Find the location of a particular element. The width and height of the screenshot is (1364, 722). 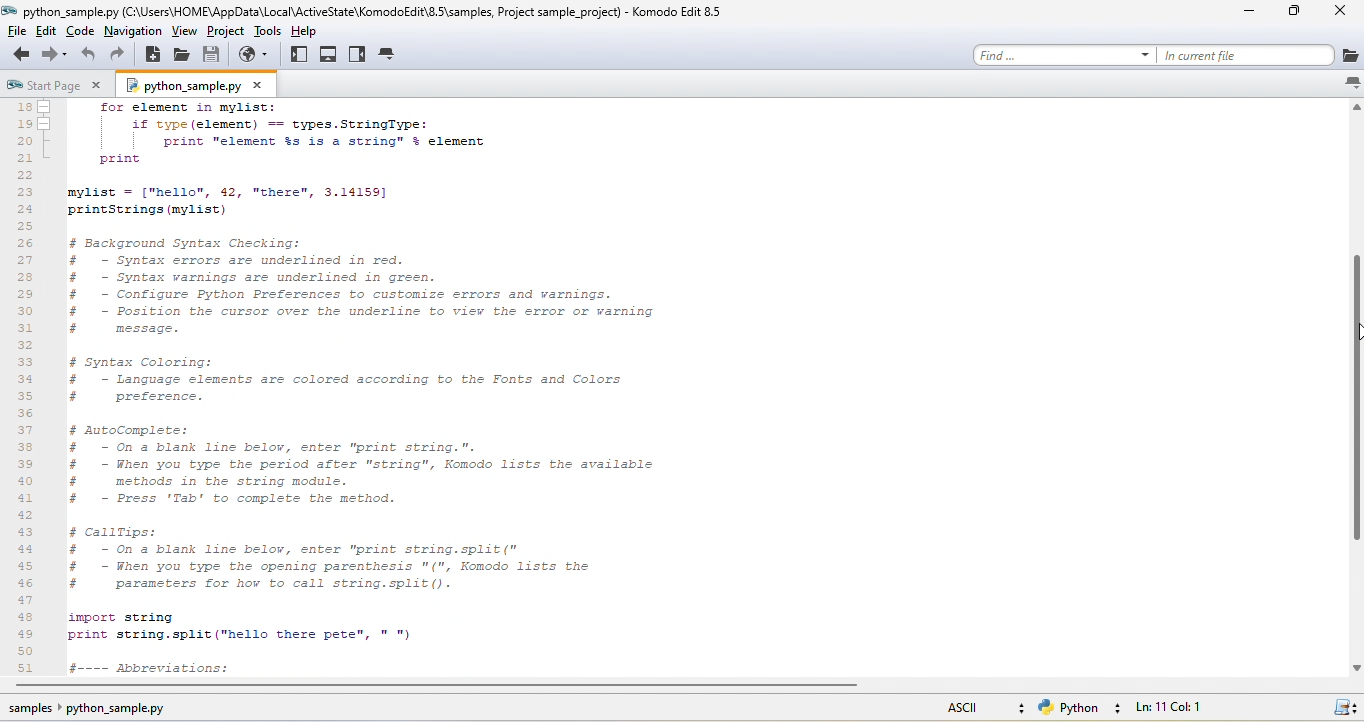

edit is located at coordinates (49, 31).